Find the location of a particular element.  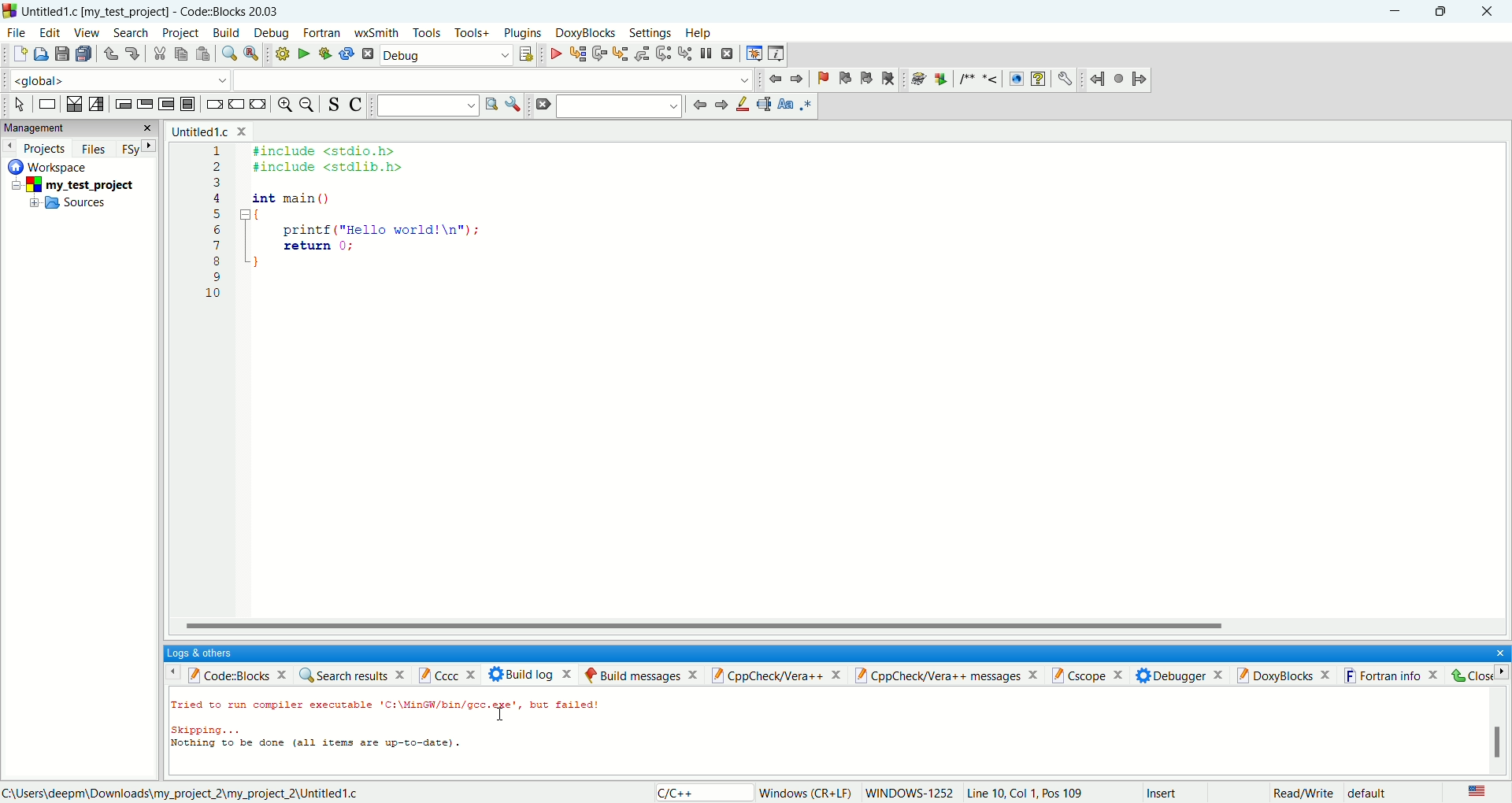

Code:blocks is located at coordinates (226, 673).